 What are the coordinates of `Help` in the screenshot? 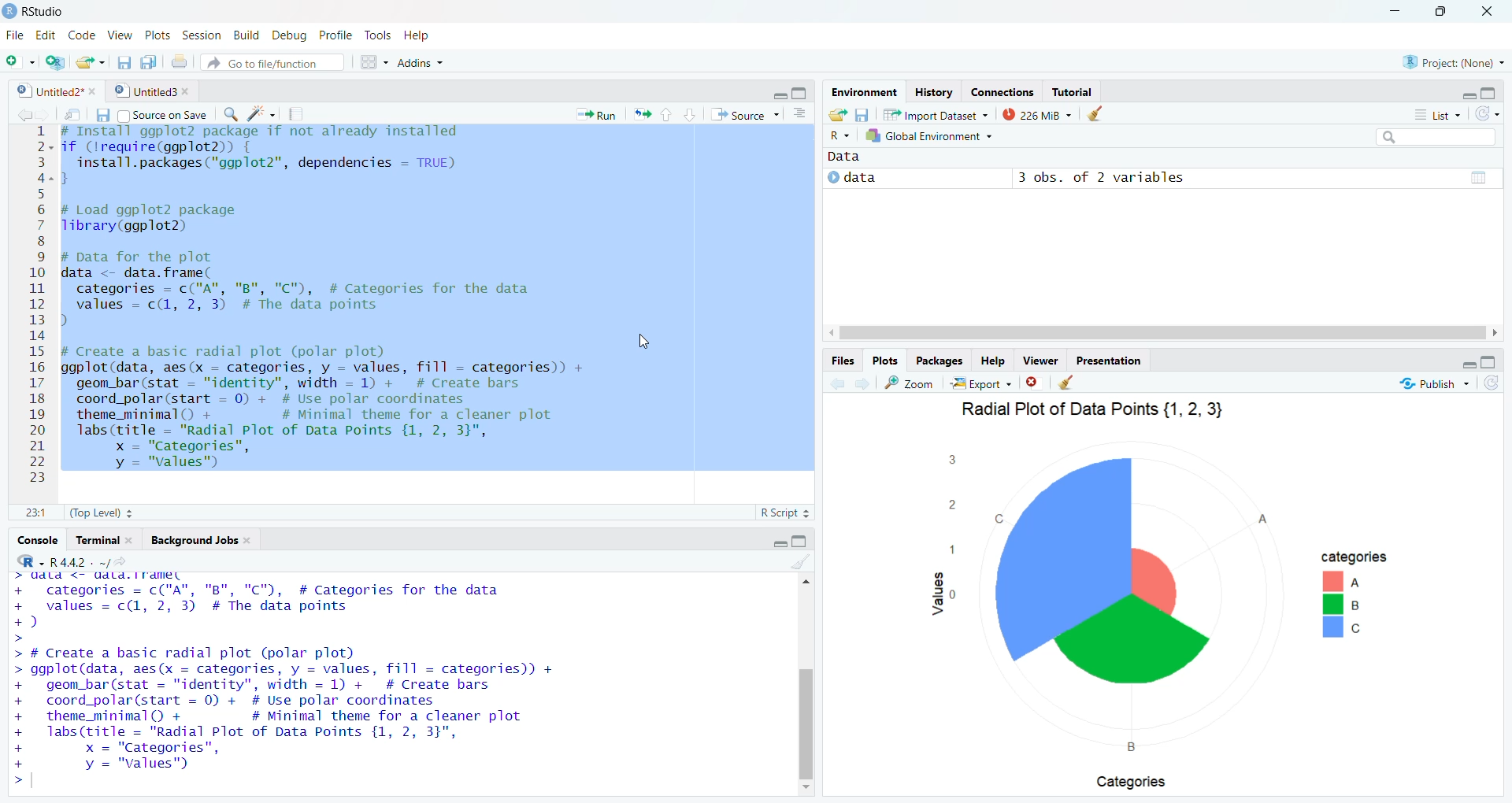 It's located at (416, 35).